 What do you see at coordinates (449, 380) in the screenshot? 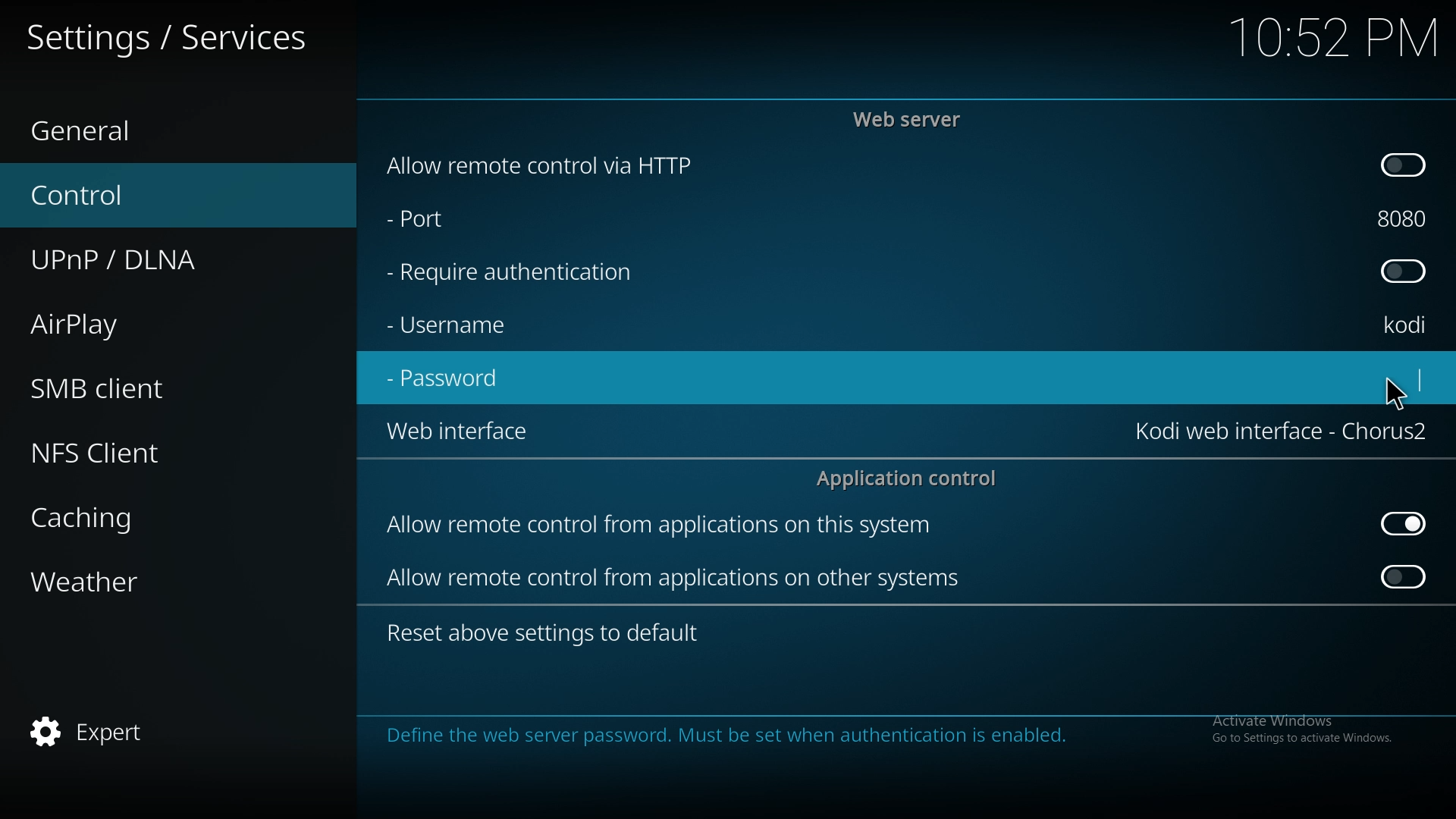
I see `password` at bounding box center [449, 380].